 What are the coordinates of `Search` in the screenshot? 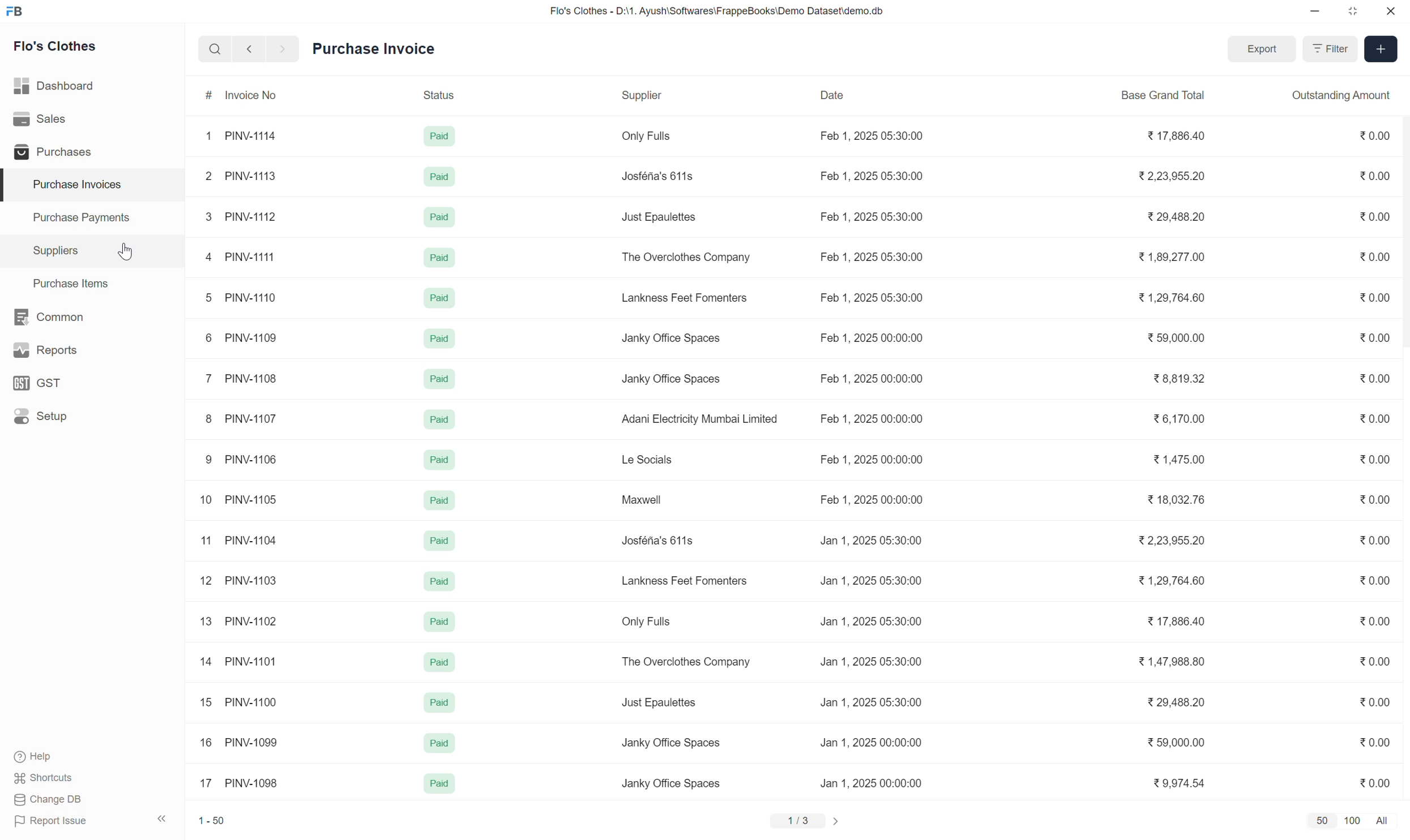 It's located at (215, 49).